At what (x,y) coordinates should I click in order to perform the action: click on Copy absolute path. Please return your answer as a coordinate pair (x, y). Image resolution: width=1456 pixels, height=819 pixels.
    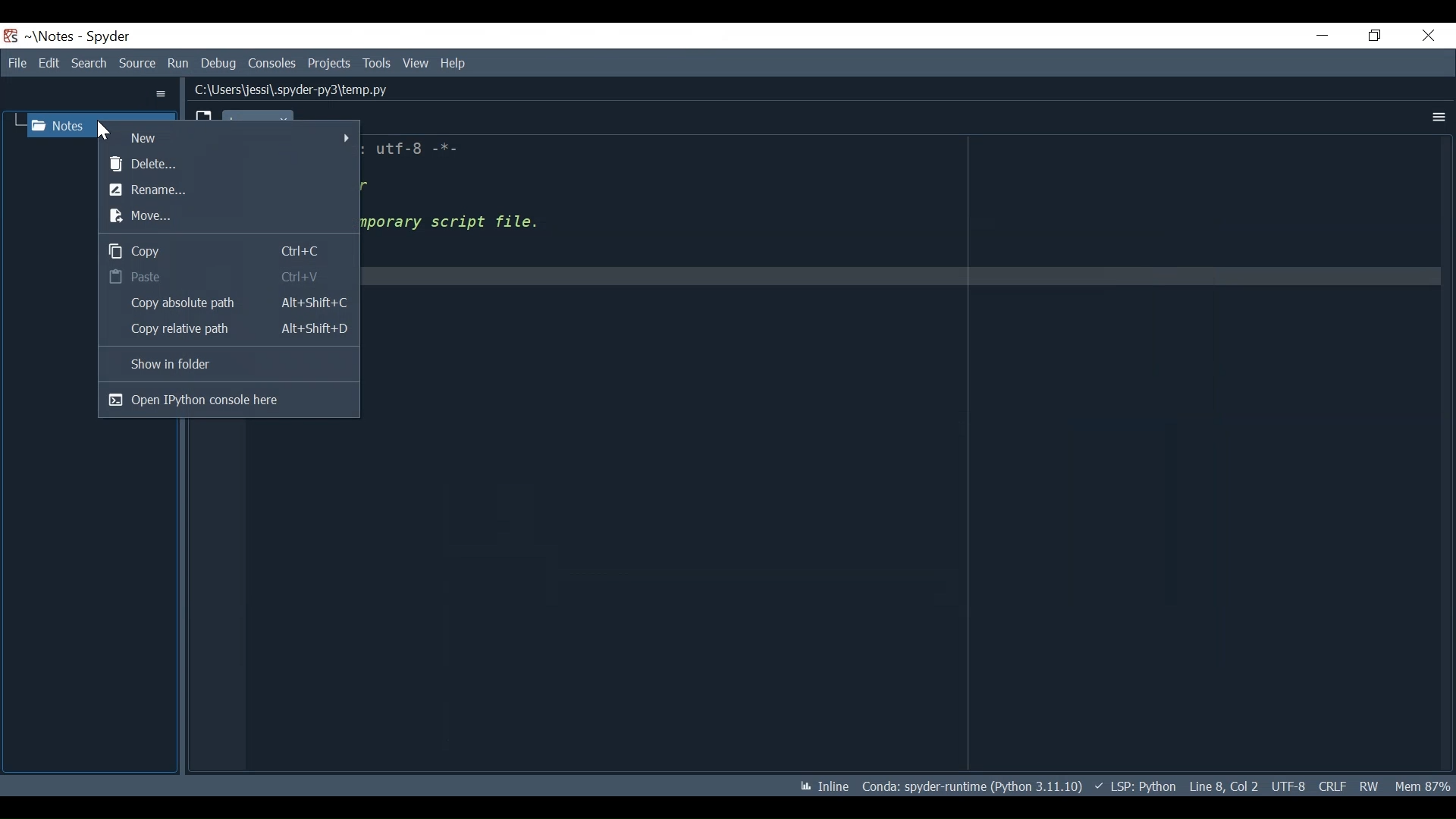
    Looking at the image, I should click on (226, 303).